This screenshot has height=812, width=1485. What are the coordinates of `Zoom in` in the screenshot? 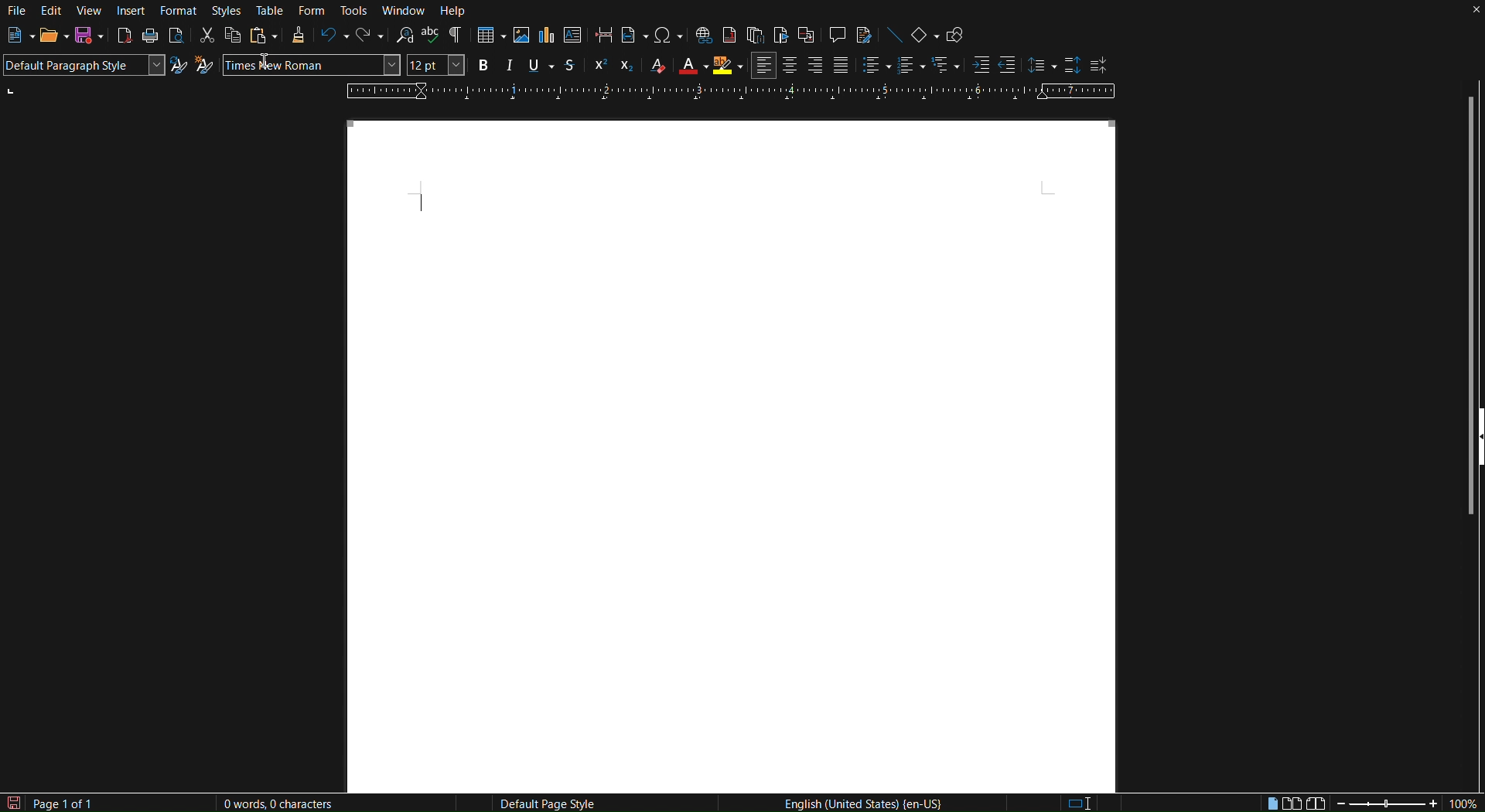 It's located at (1429, 802).